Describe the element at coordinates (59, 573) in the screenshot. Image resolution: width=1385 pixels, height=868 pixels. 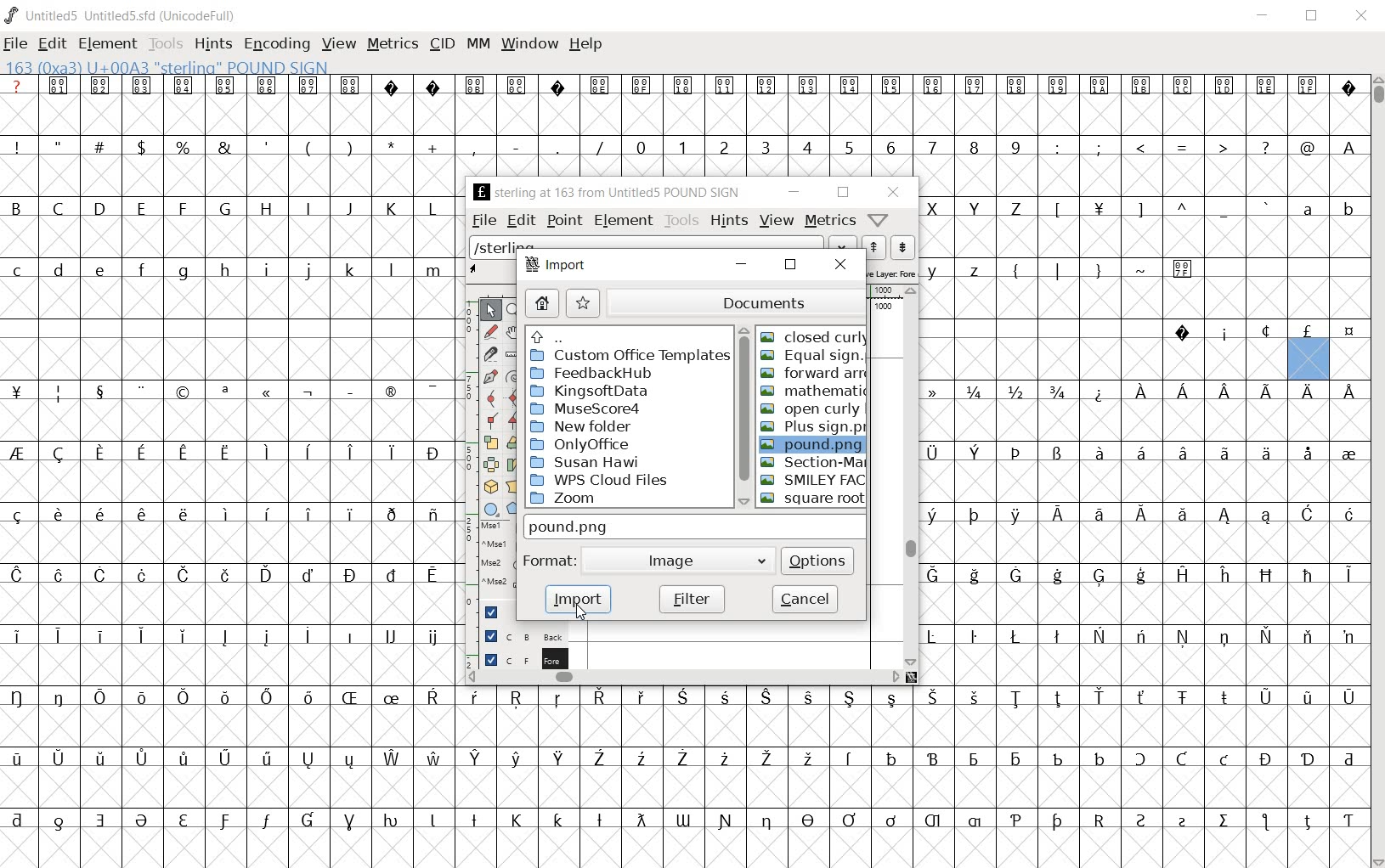
I see `Symbol` at that location.